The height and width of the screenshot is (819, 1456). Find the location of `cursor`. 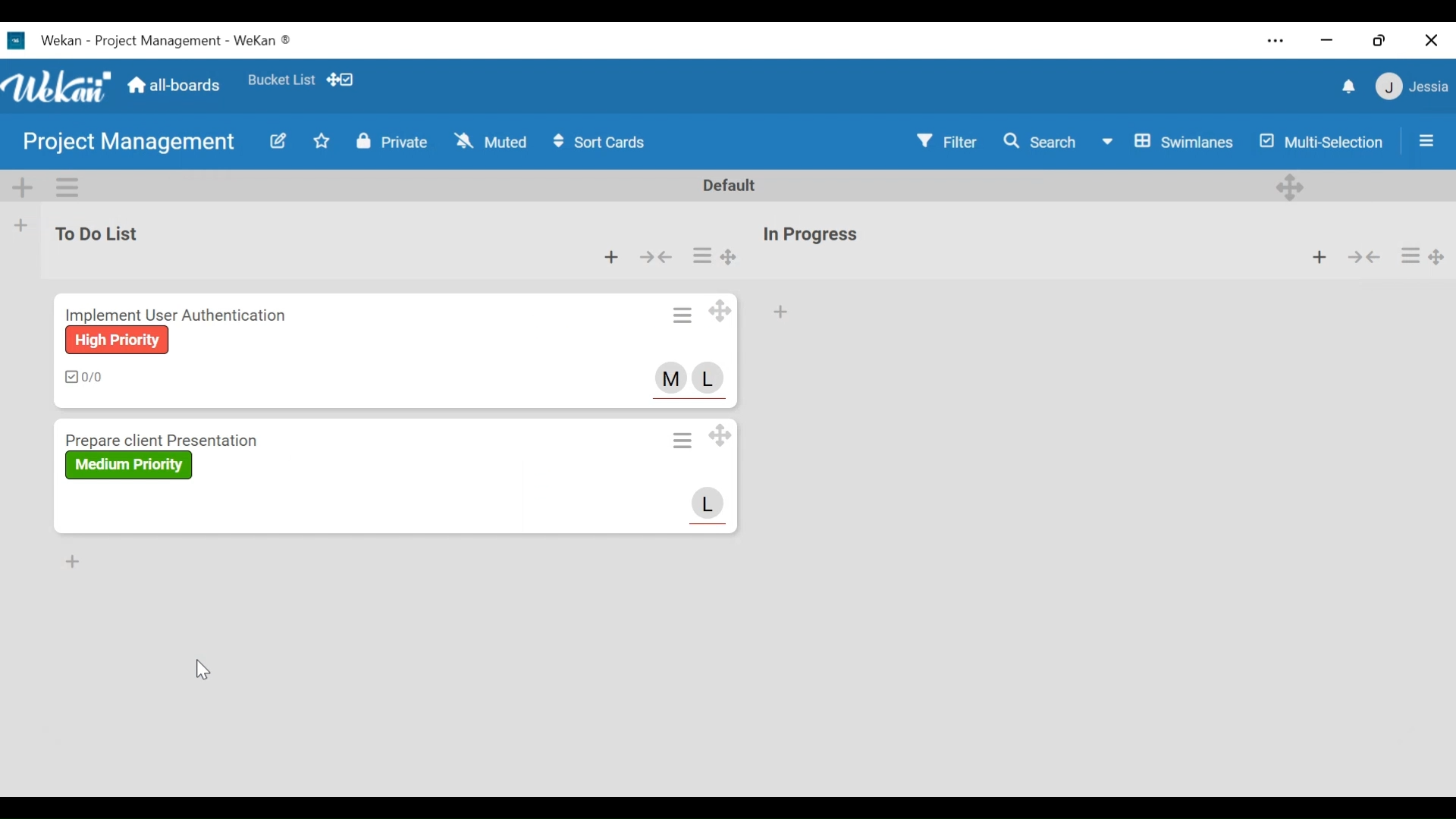

cursor is located at coordinates (206, 667).